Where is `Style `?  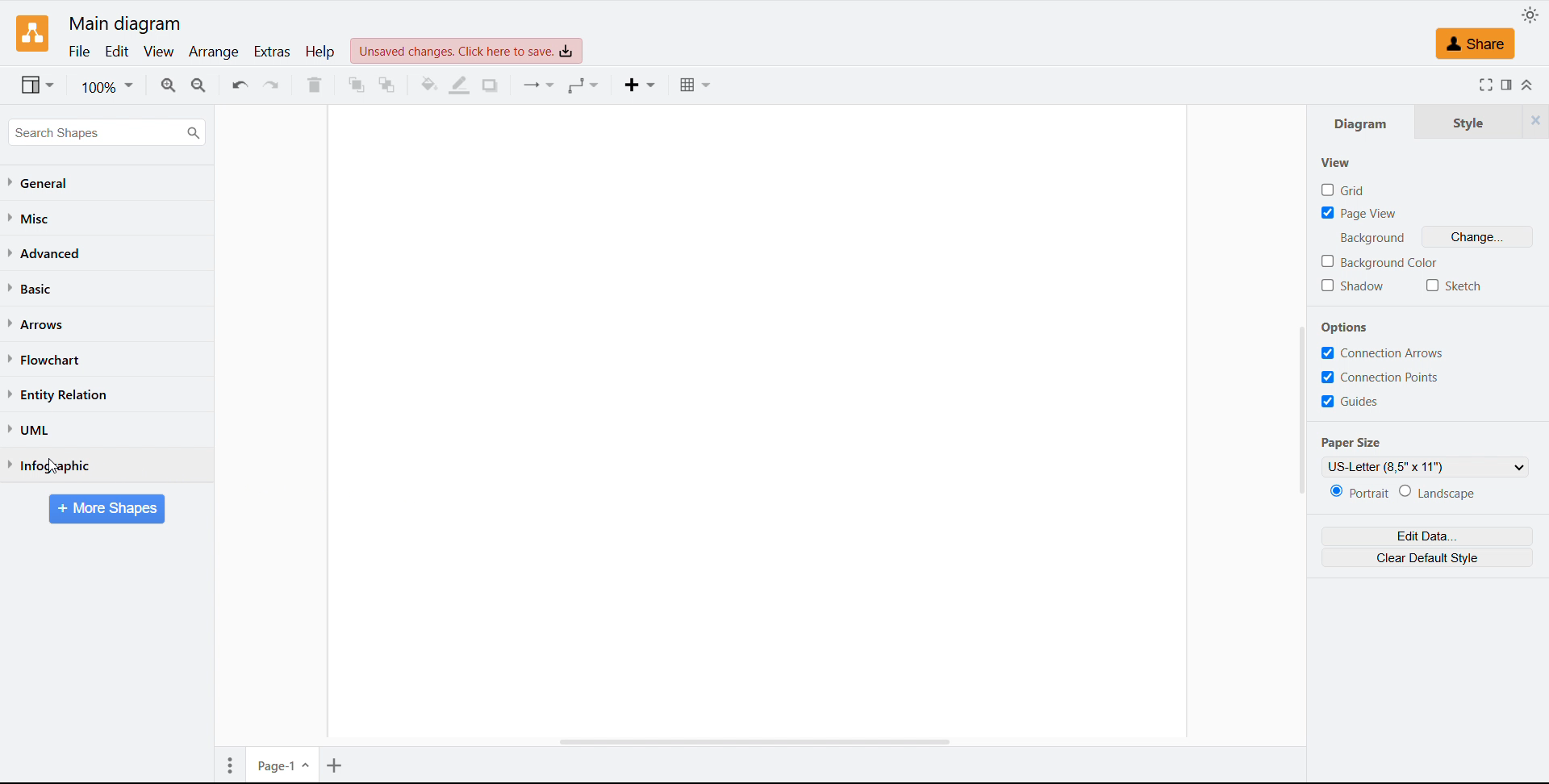
Style  is located at coordinates (1464, 122).